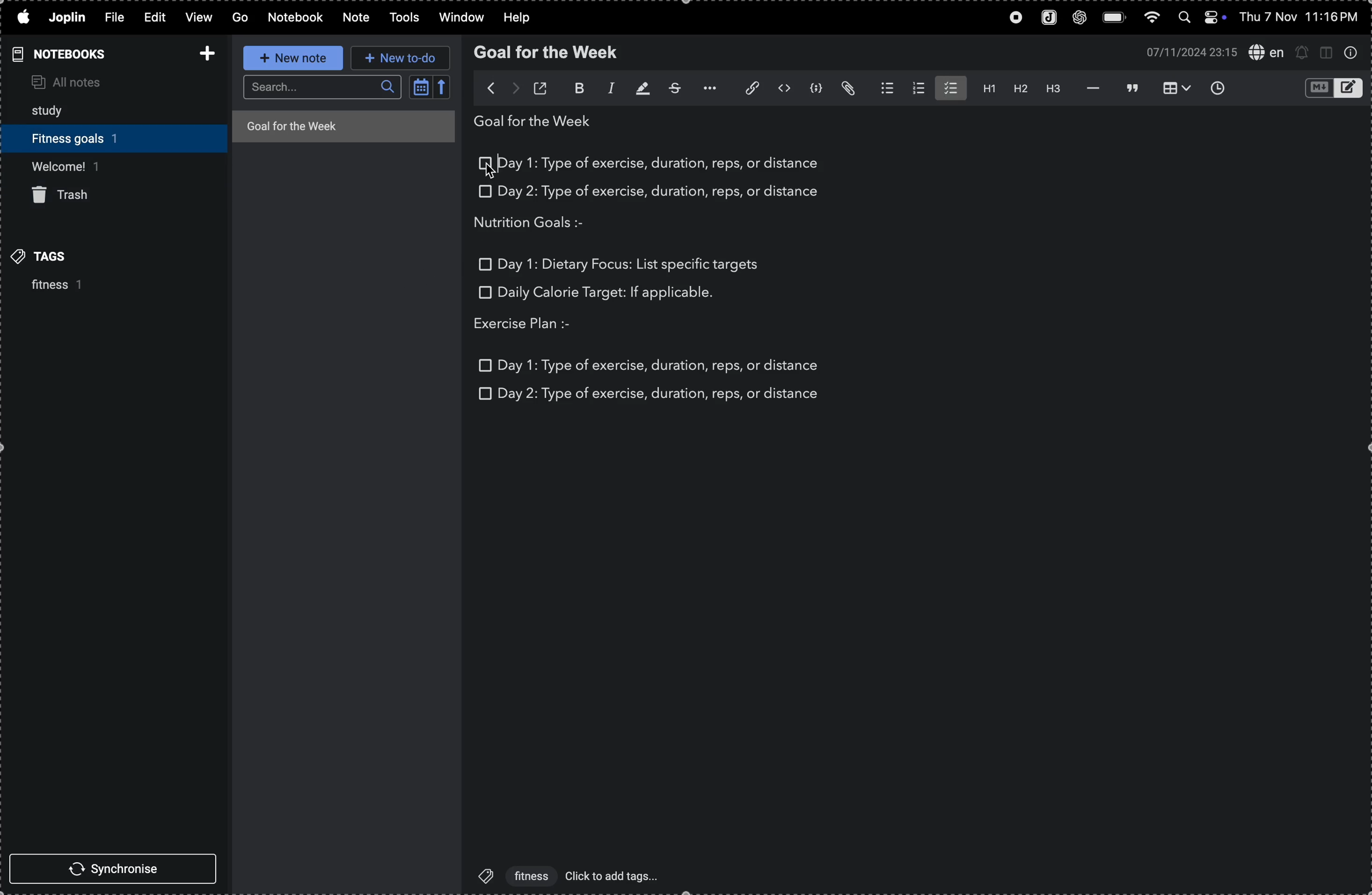 Image resolution: width=1372 pixels, height=895 pixels. What do you see at coordinates (485, 87) in the screenshot?
I see `back` at bounding box center [485, 87].